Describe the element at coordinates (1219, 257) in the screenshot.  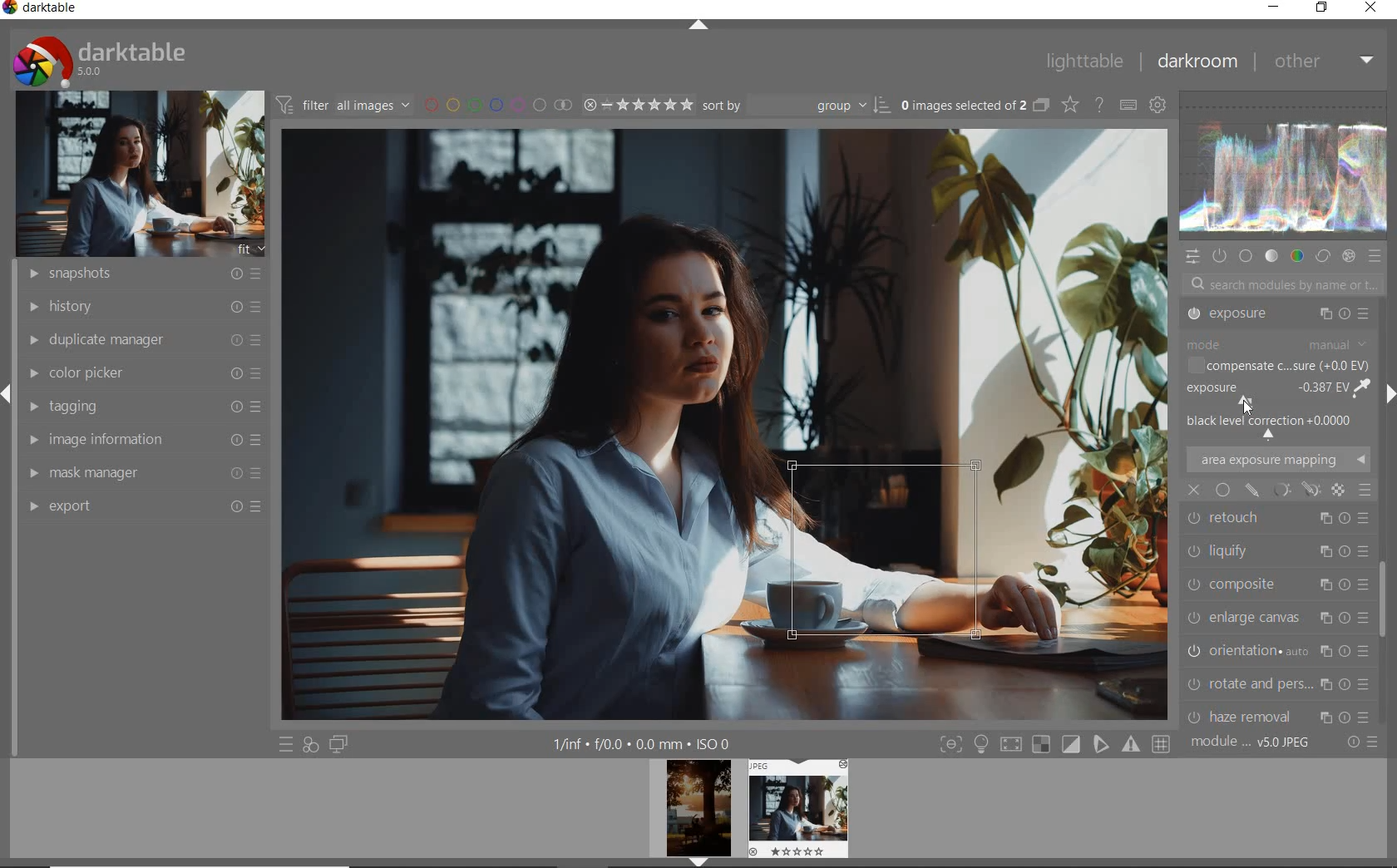
I see `SHOW ONLY ACTIVE MODULES` at that location.